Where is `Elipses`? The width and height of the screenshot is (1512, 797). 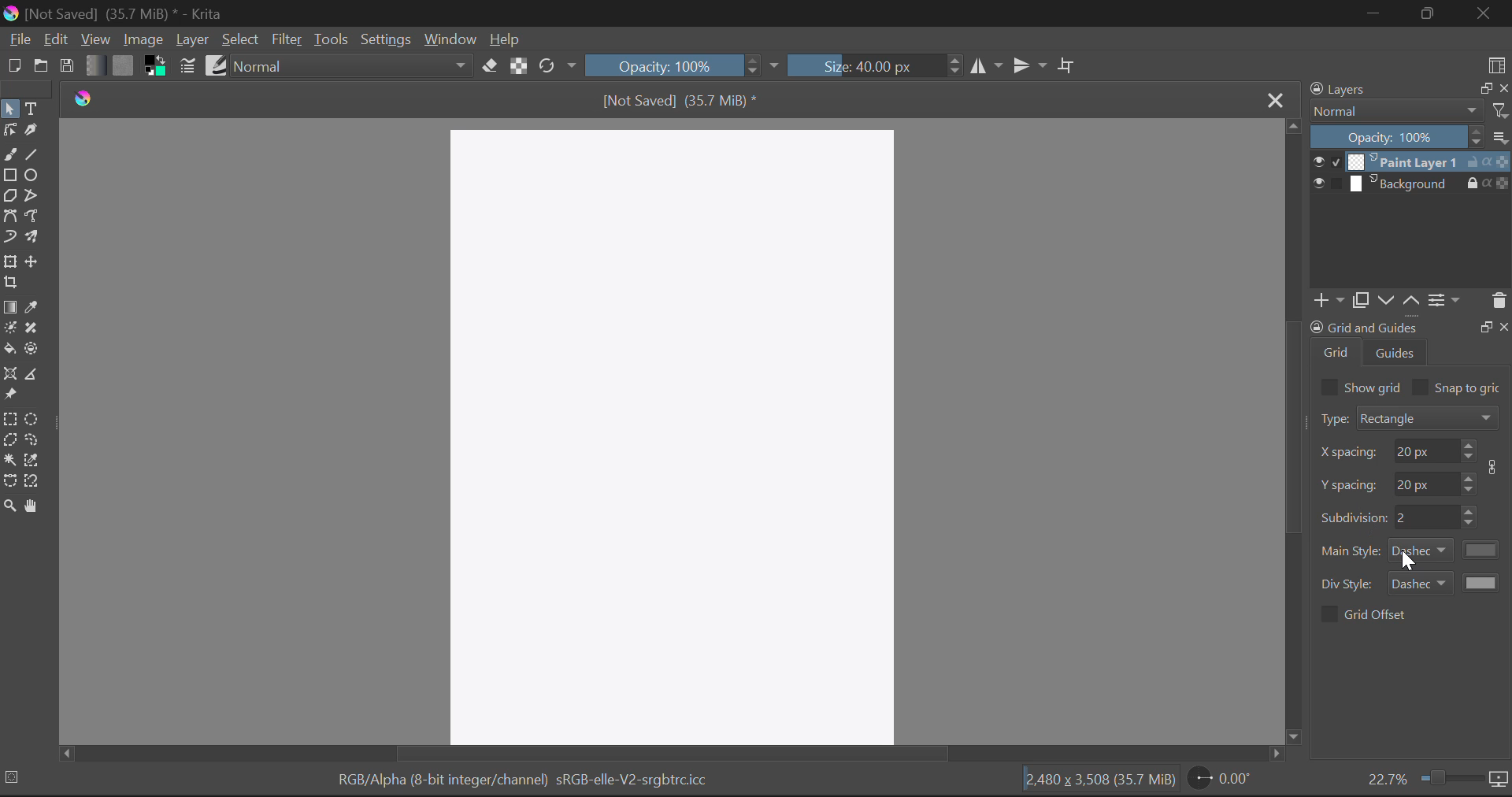
Elipses is located at coordinates (32, 175).